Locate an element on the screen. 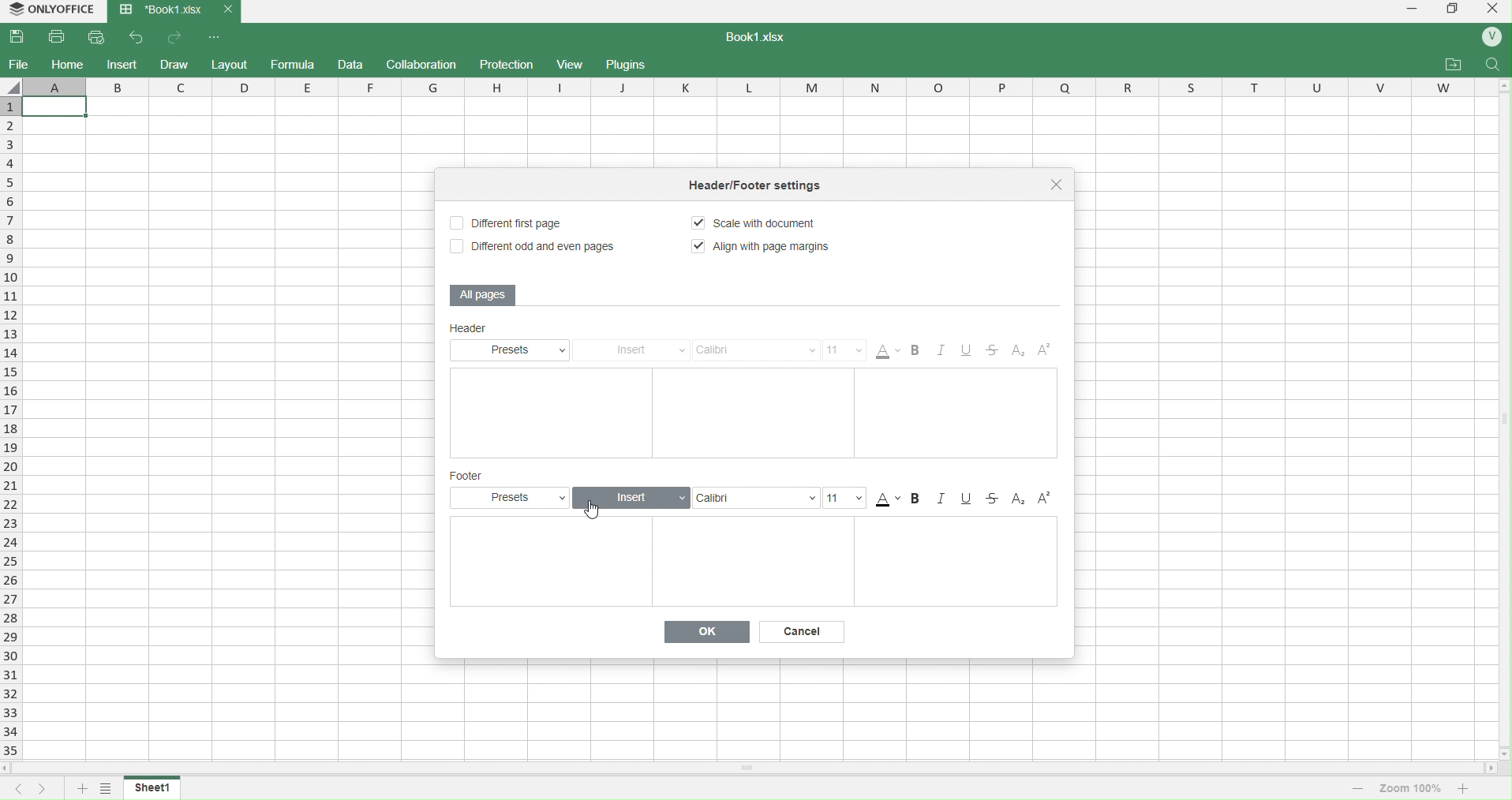 This screenshot has height=800, width=1512. current cell is located at coordinates (54, 107).